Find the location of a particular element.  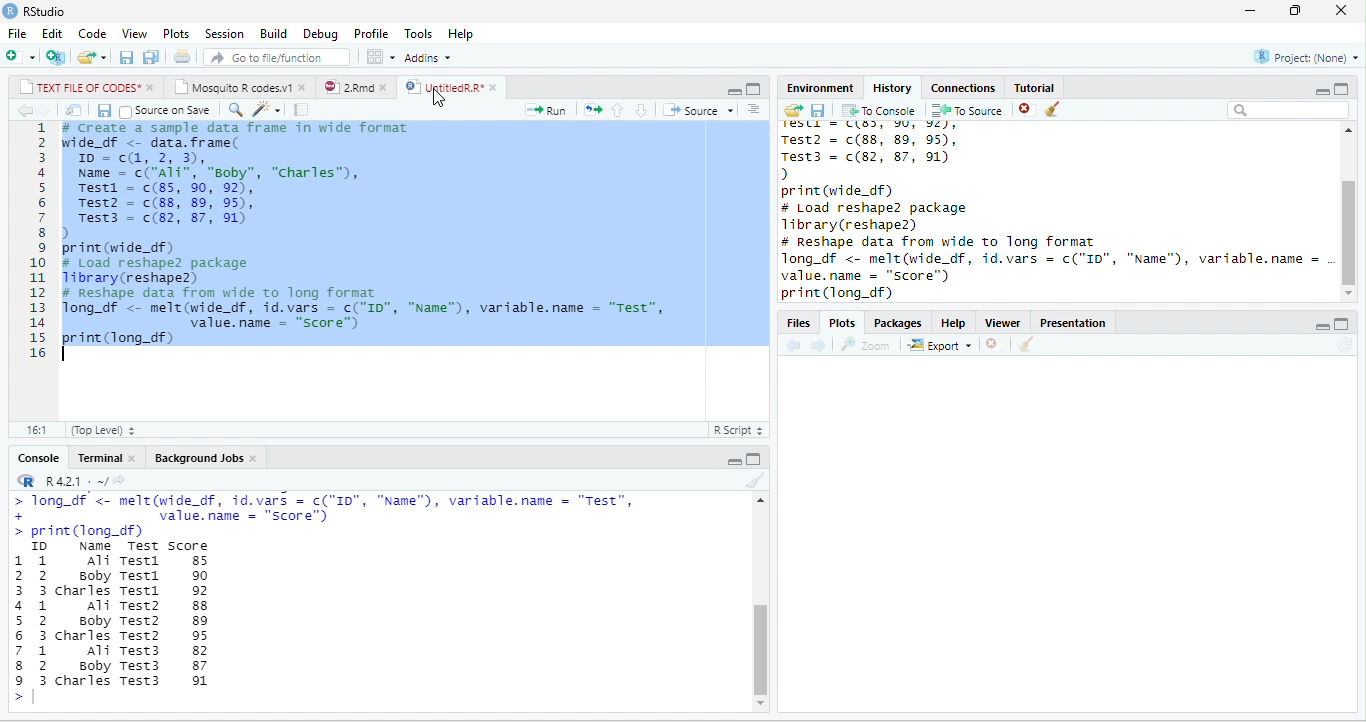

Test is located at coordinates (144, 547).